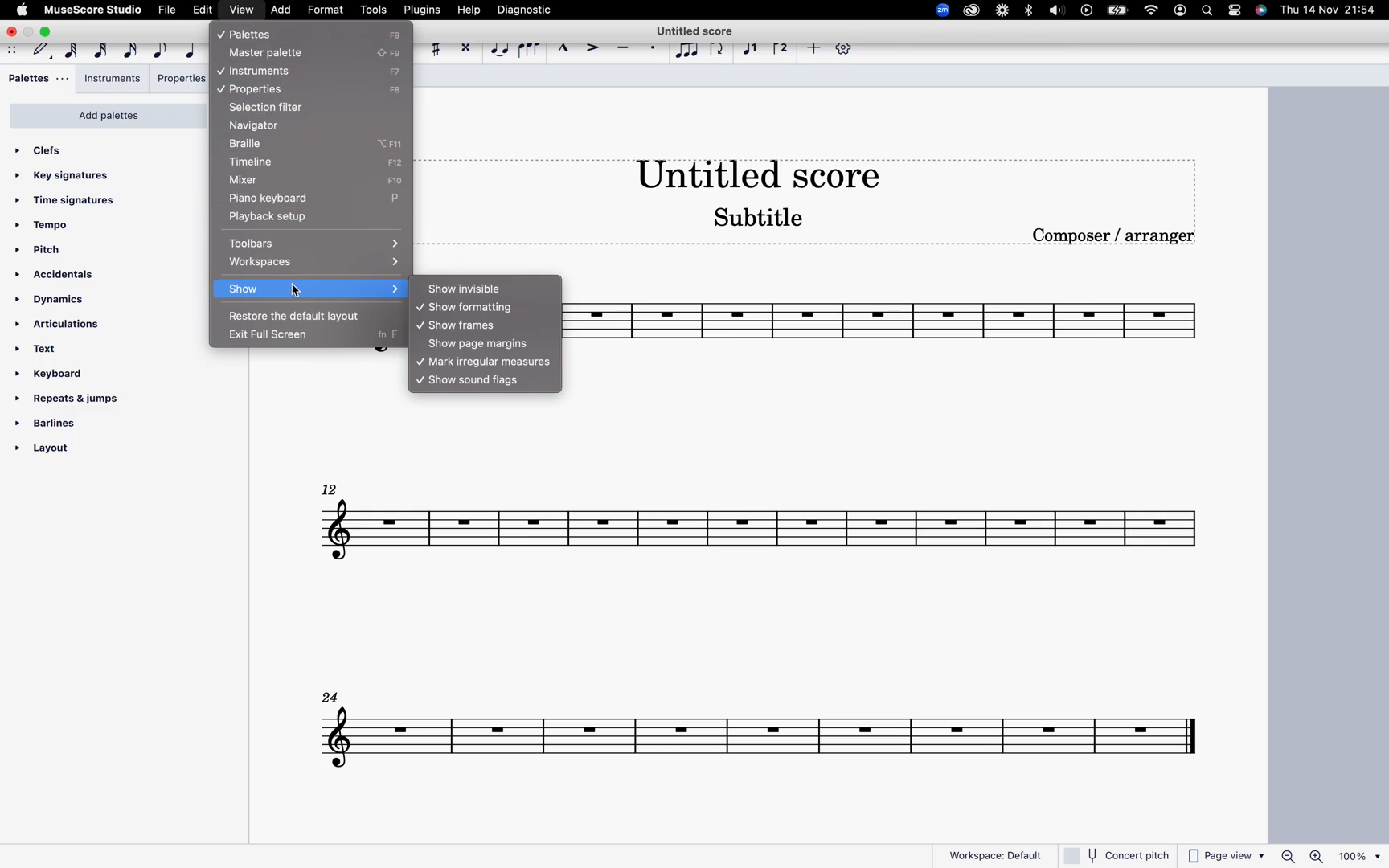 The width and height of the screenshot is (1389, 868). Describe the element at coordinates (70, 51) in the screenshot. I see `64th note` at that location.